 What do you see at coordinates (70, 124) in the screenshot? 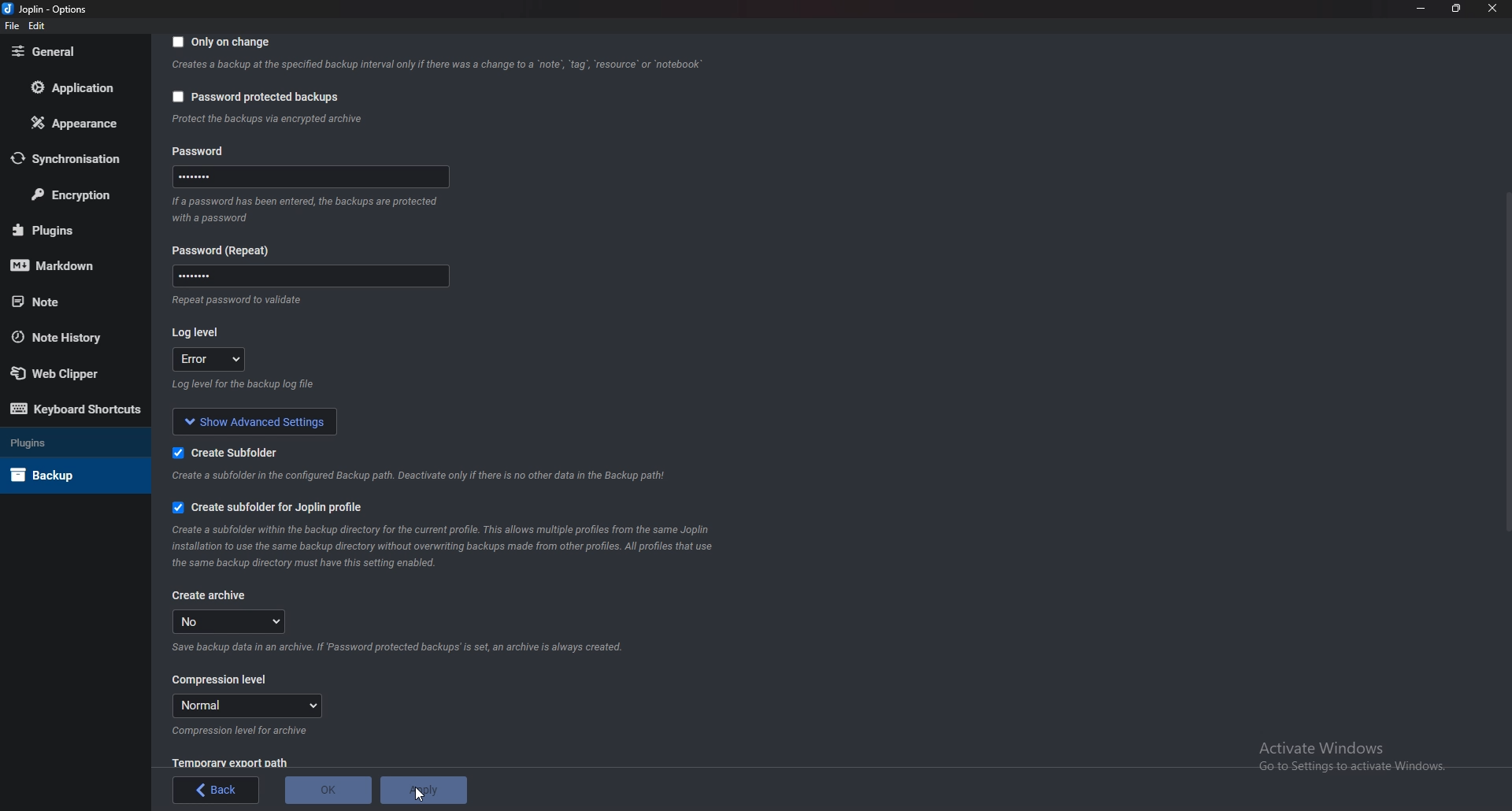
I see `Appearance` at bounding box center [70, 124].